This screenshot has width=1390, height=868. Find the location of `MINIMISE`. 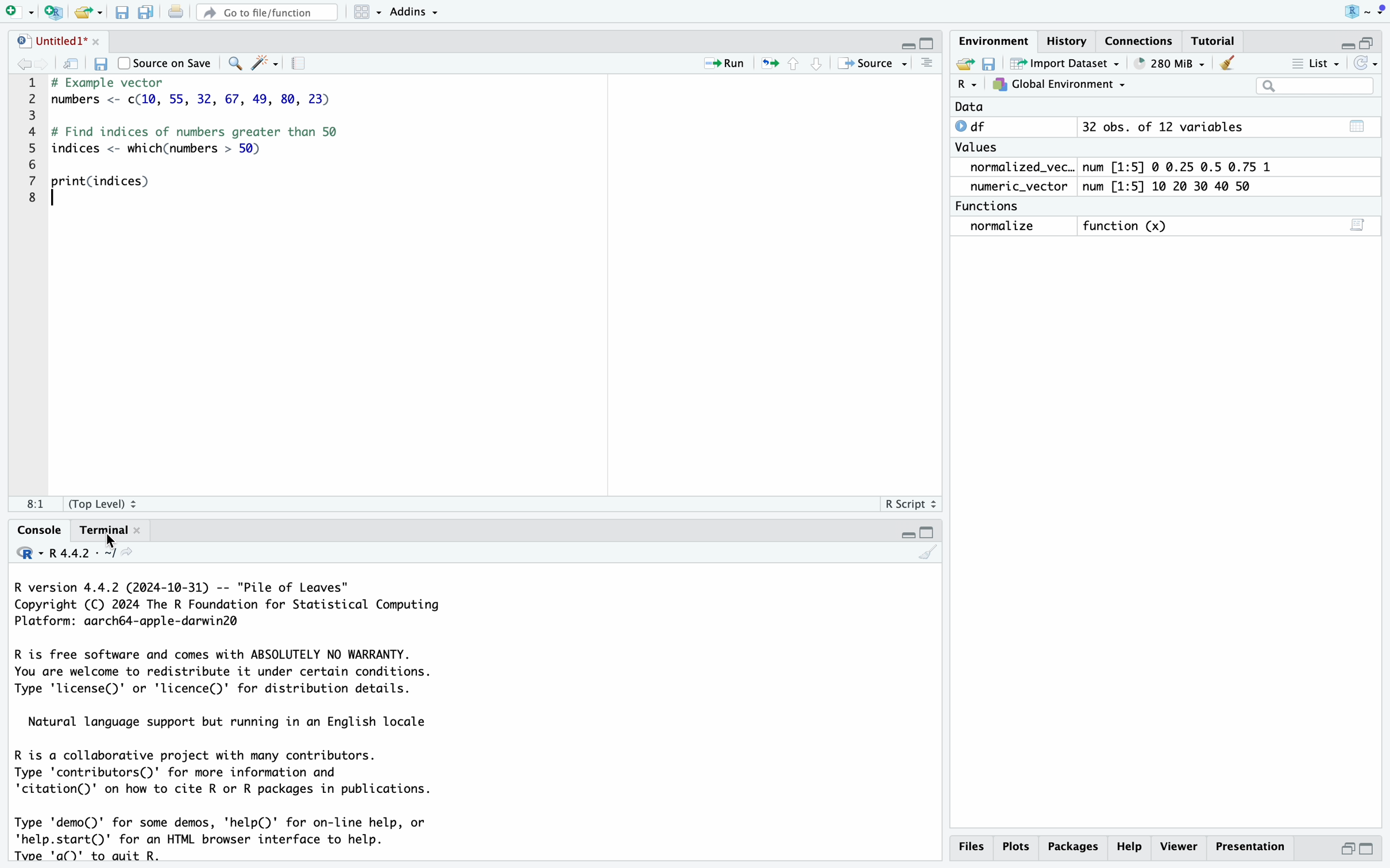

MINIMISE is located at coordinates (1343, 42).